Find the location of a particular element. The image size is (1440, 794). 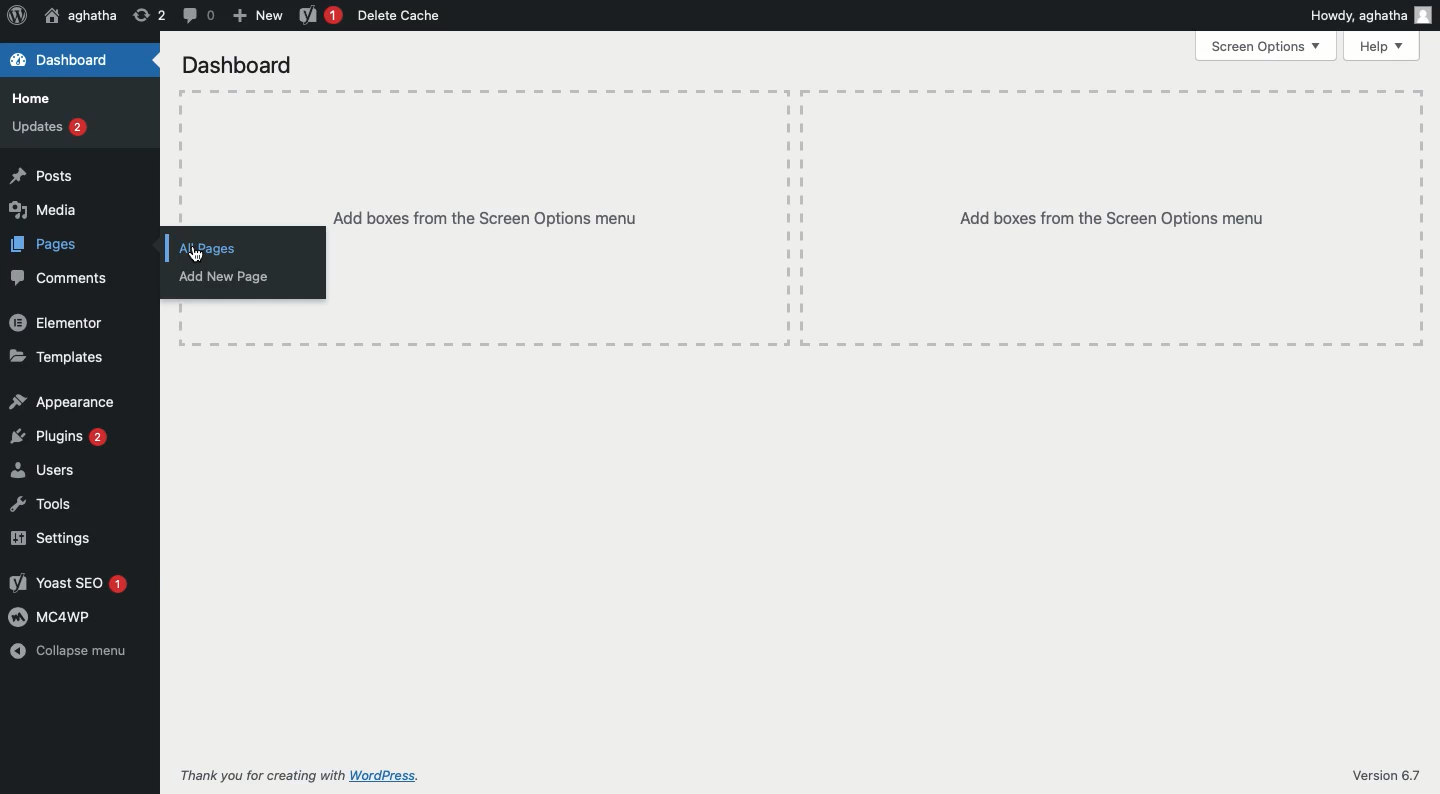

Tools is located at coordinates (69, 504).